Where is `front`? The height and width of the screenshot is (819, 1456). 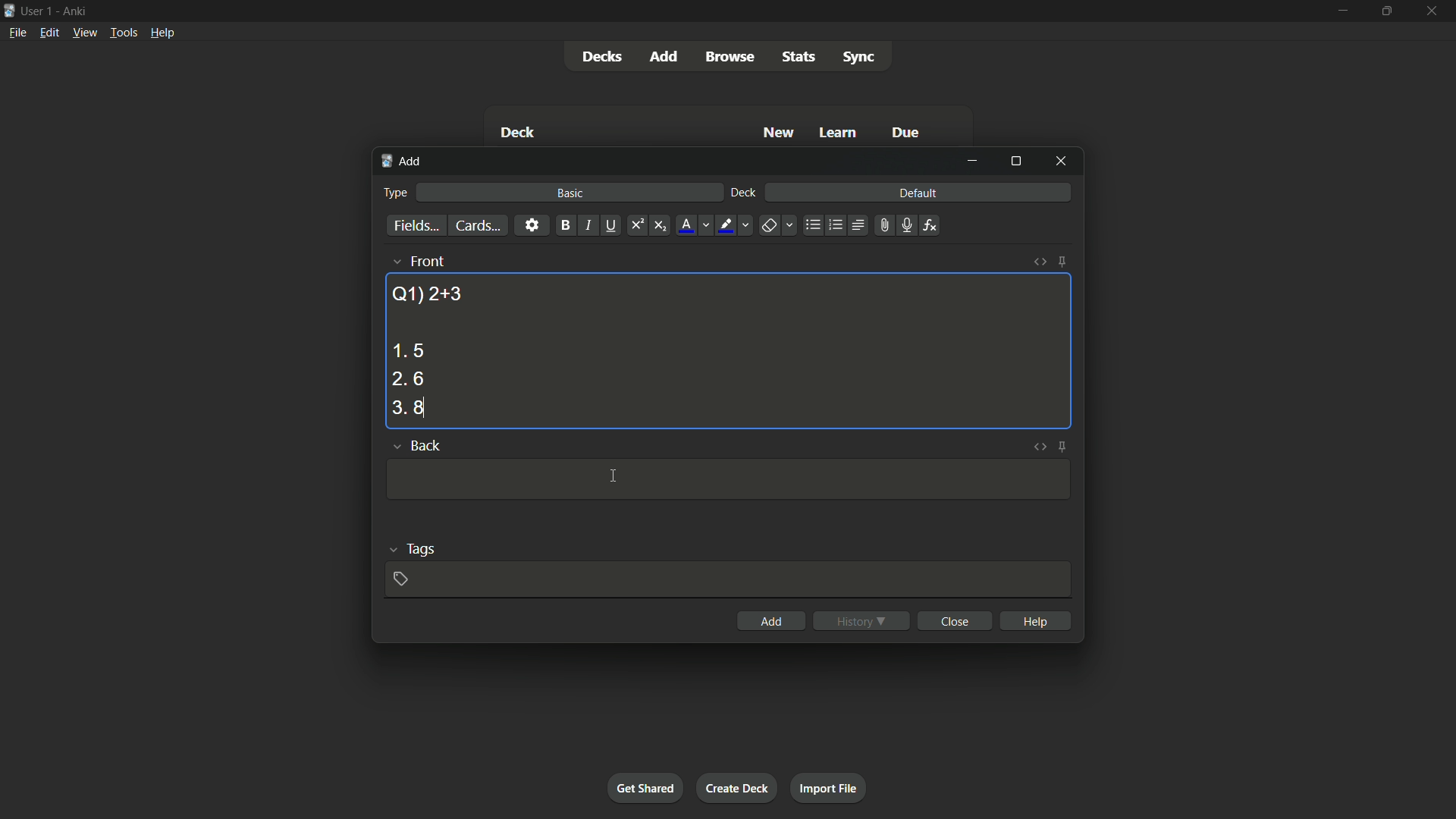 front is located at coordinates (426, 261).